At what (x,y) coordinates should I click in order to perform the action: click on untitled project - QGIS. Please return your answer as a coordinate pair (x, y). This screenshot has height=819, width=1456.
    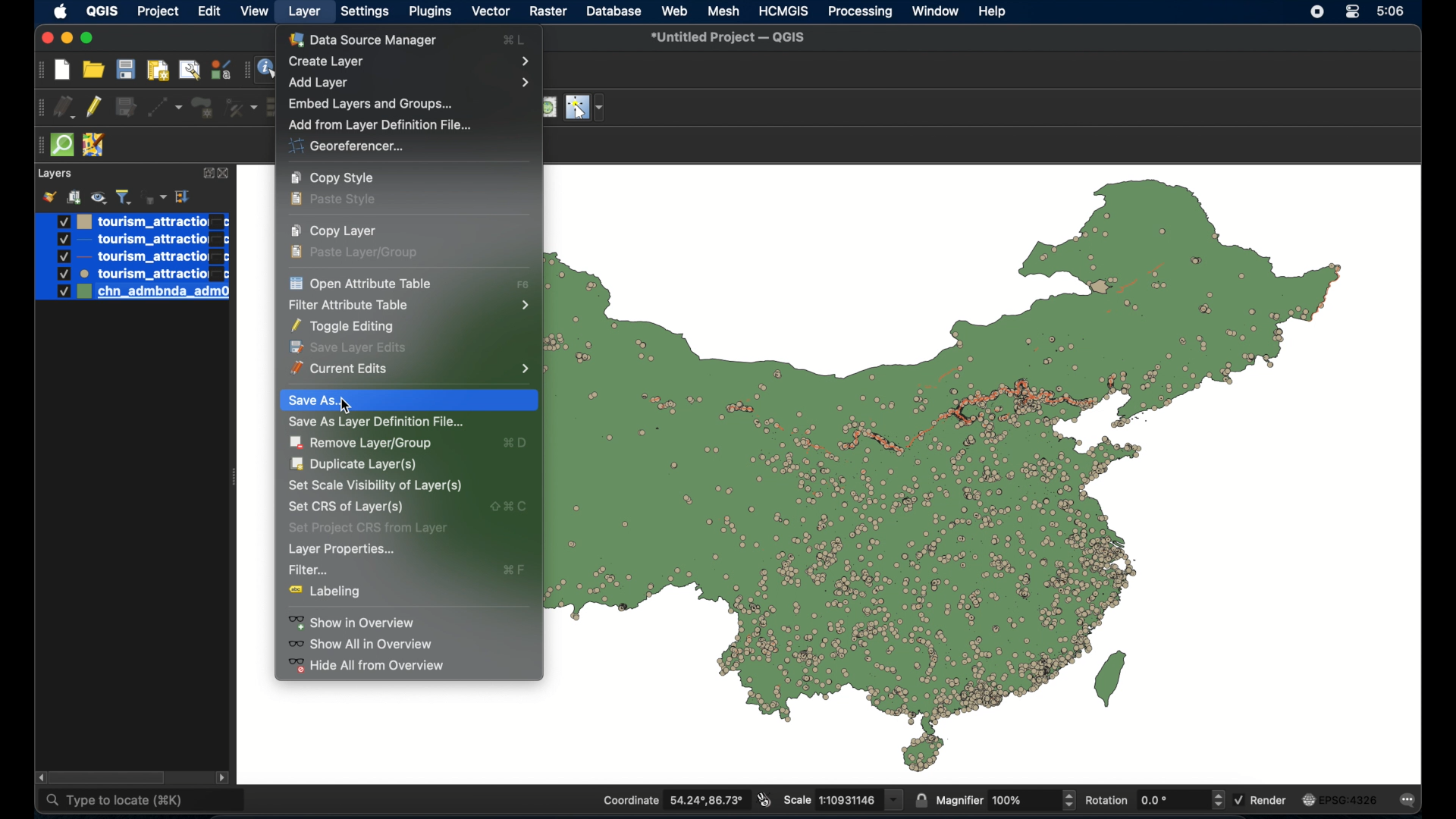
    Looking at the image, I should click on (729, 37).